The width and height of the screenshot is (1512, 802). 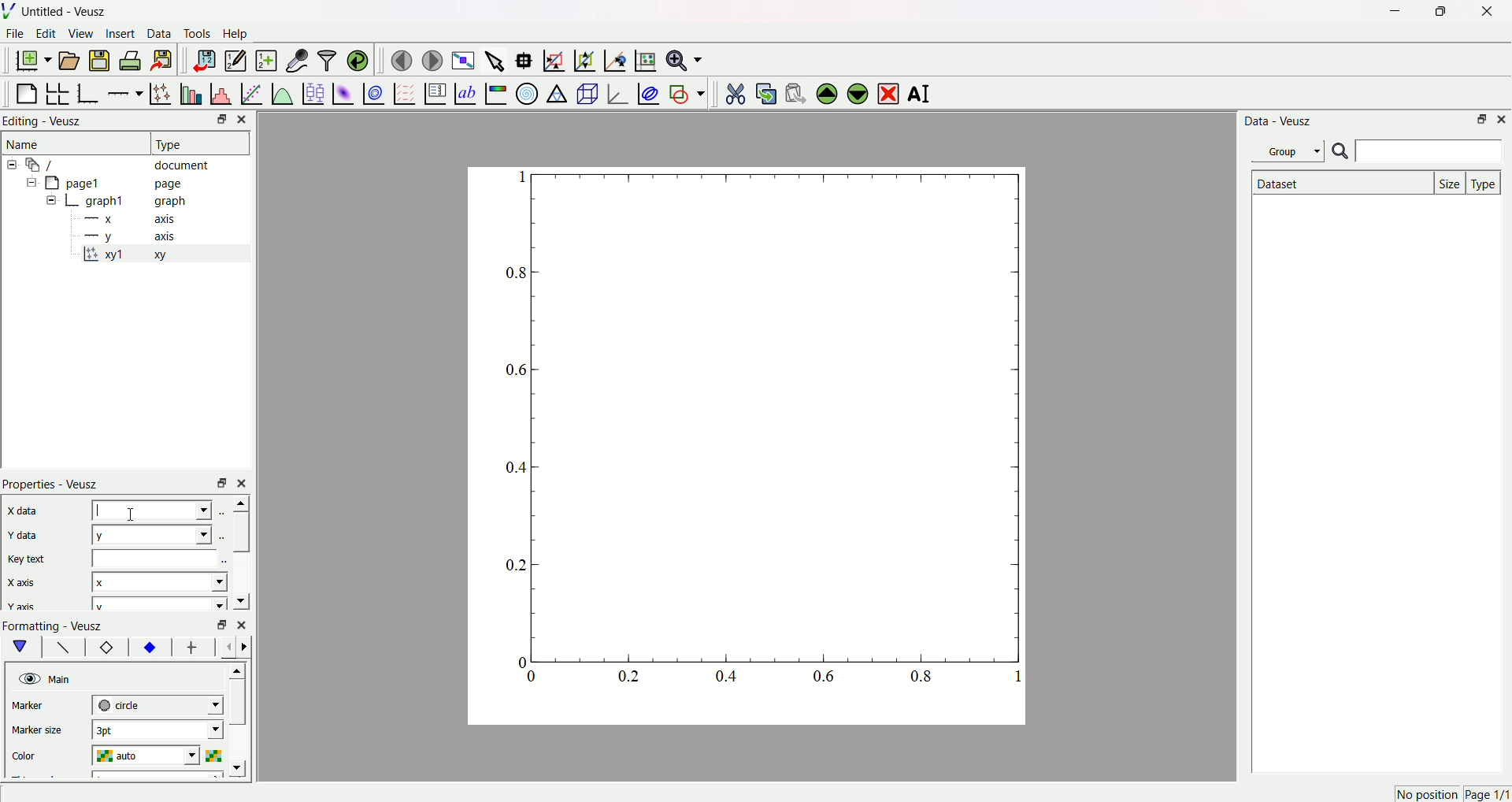 What do you see at coordinates (240, 34) in the screenshot?
I see `Help` at bounding box center [240, 34].